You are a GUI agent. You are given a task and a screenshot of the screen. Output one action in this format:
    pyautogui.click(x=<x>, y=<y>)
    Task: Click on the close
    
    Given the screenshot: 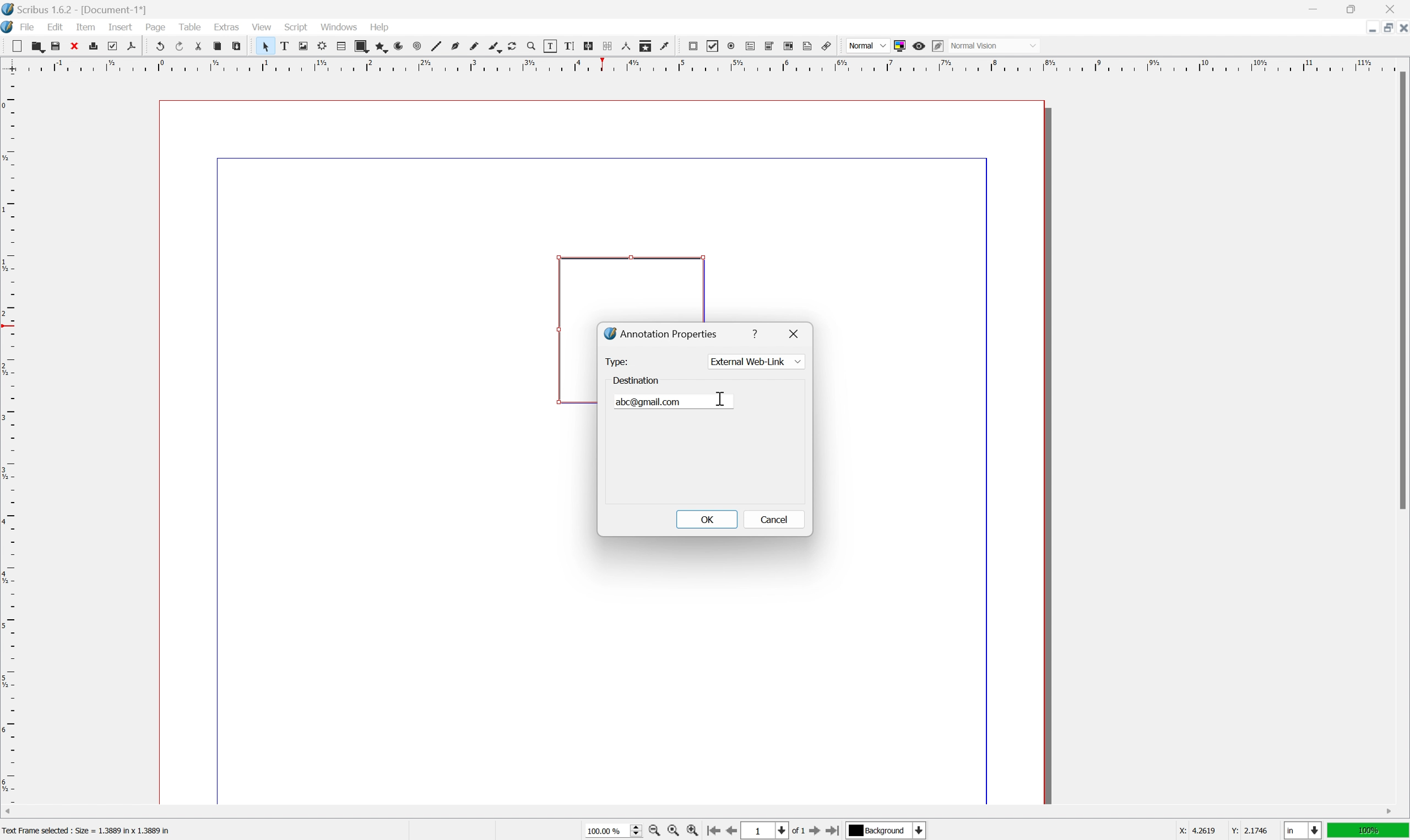 What is the action you would take?
    pyautogui.click(x=796, y=332)
    